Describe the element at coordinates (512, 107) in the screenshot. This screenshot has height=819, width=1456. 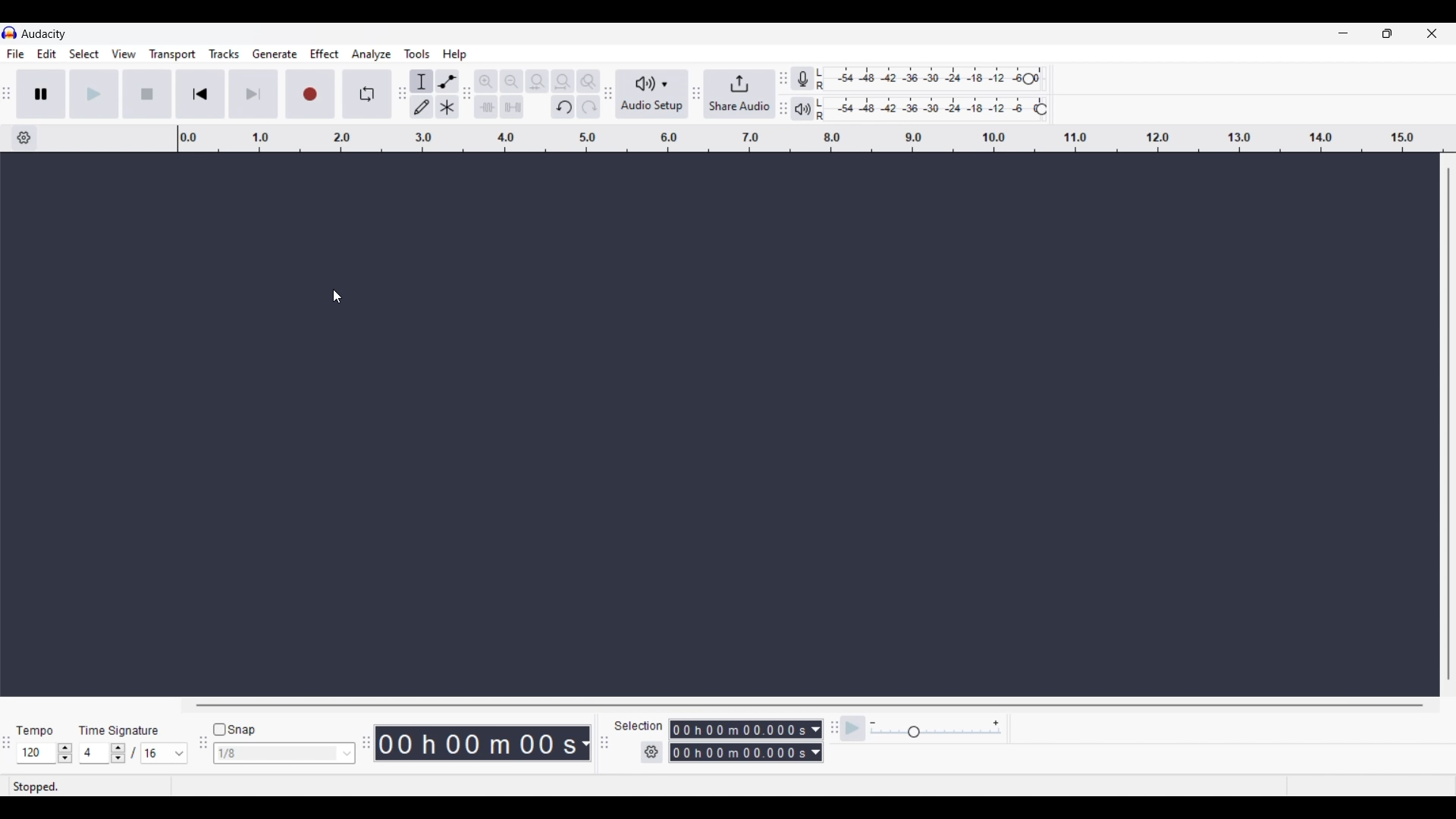
I see `Silence audio selection` at that location.